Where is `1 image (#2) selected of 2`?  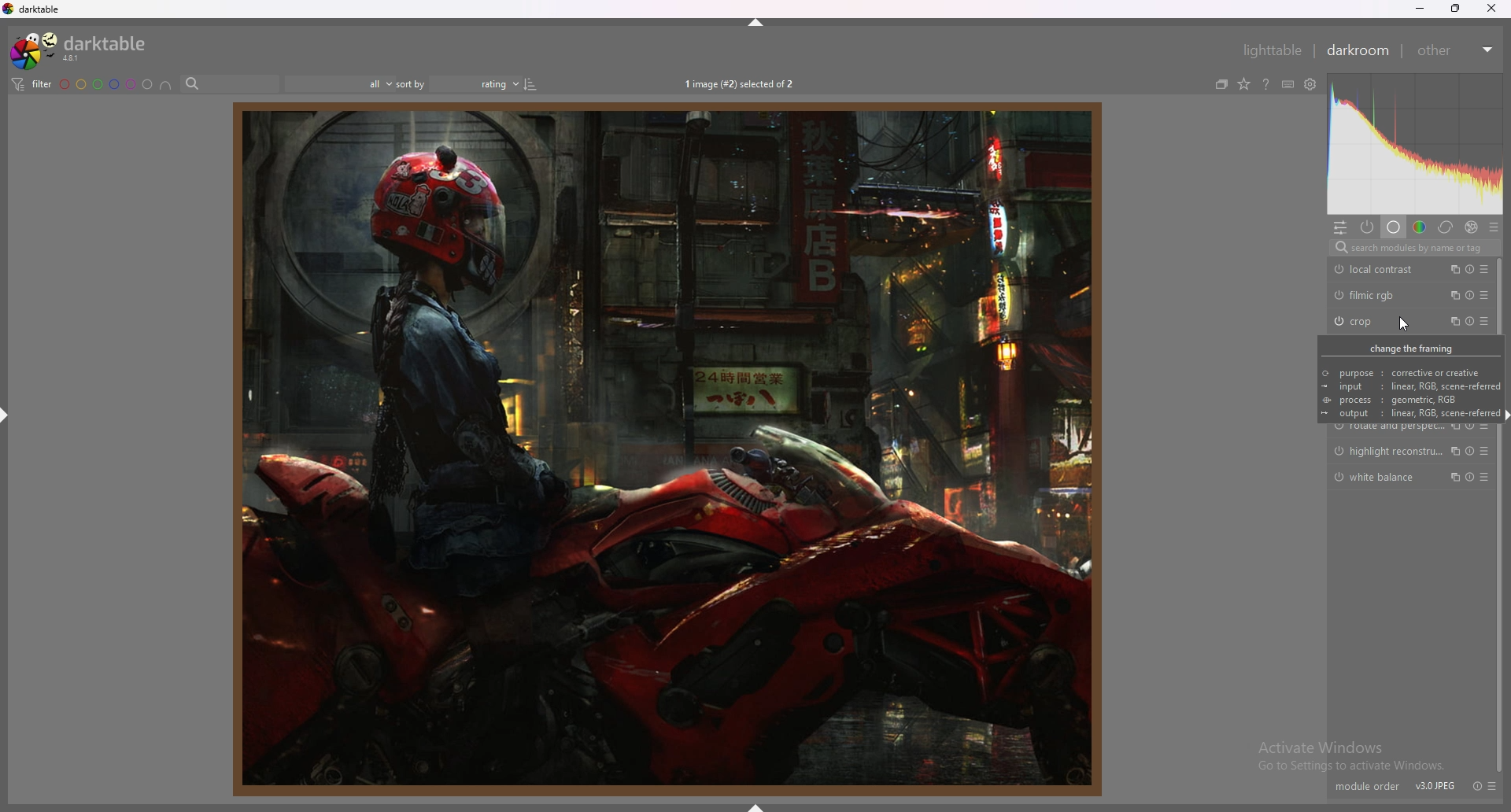 1 image (#2) selected of 2 is located at coordinates (741, 83).